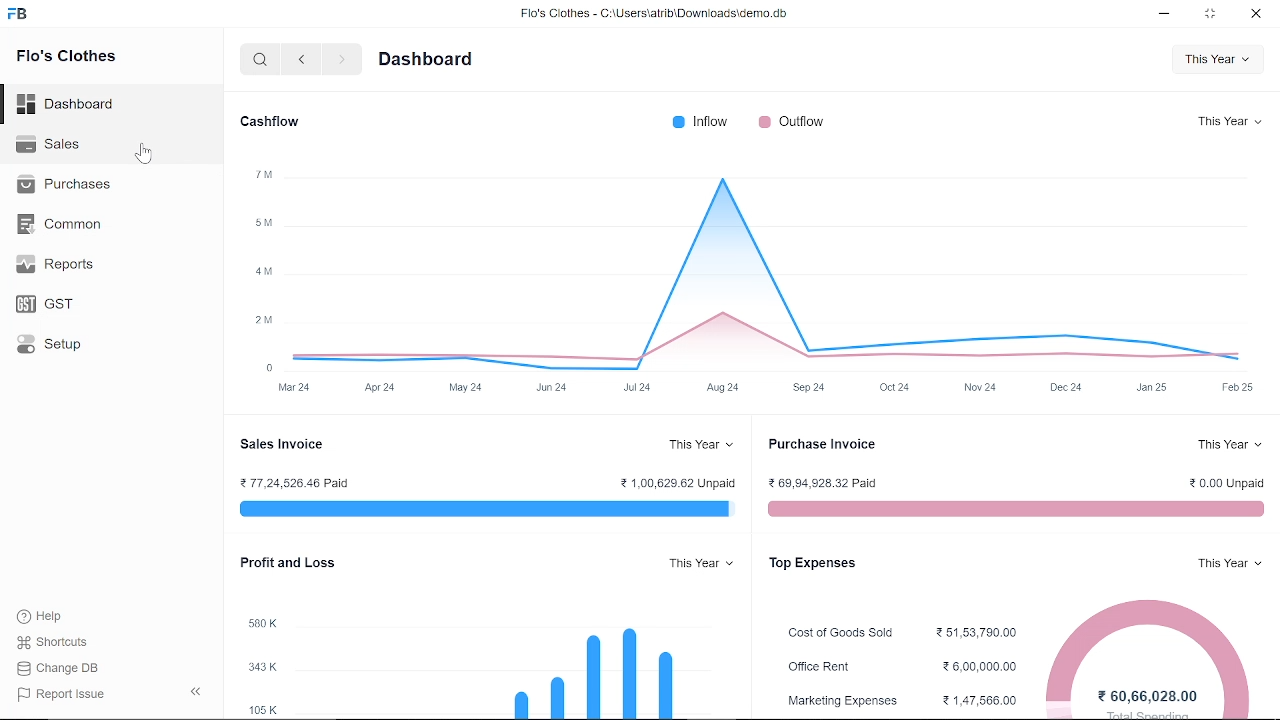 The height and width of the screenshot is (720, 1280). Describe the element at coordinates (894, 631) in the screenshot. I see `Cost of Goods Sold. 251,53,790.00` at that location.